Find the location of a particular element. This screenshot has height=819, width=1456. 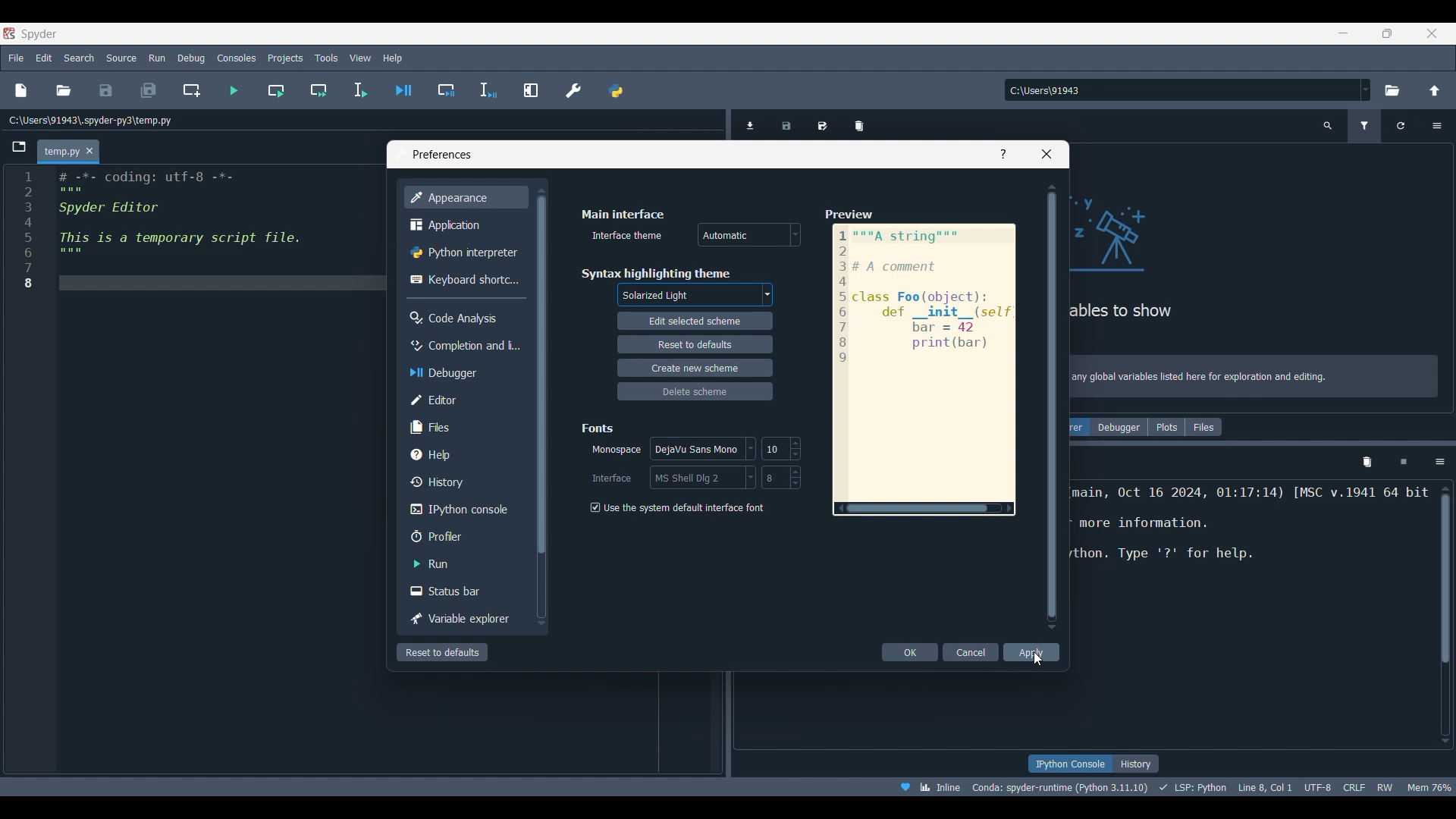

Status bar is located at coordinates (463, 591).